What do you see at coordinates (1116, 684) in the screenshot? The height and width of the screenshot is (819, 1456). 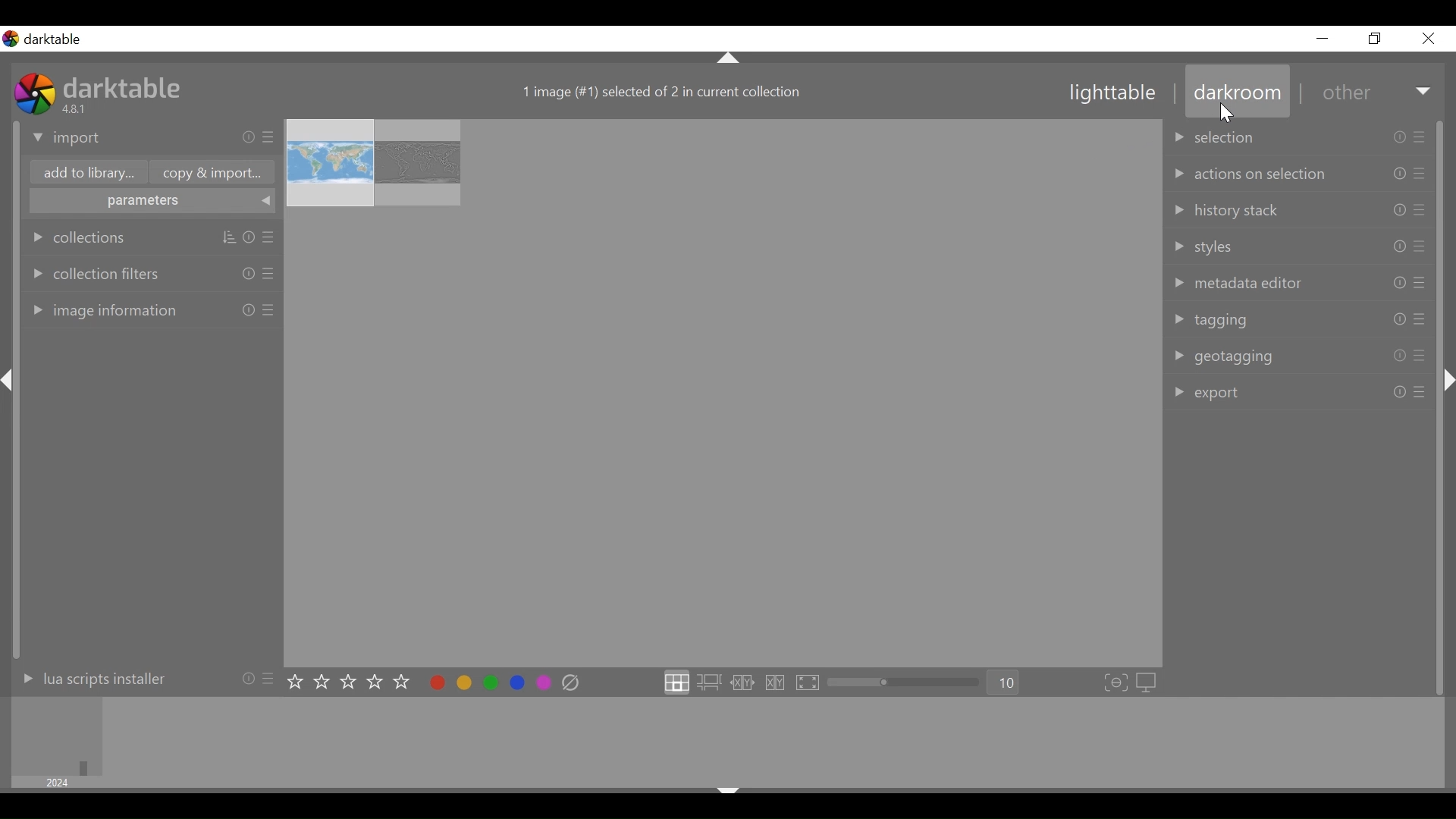 I see `Toggle focus-peaking mode` at bounding box center [1116, 684].